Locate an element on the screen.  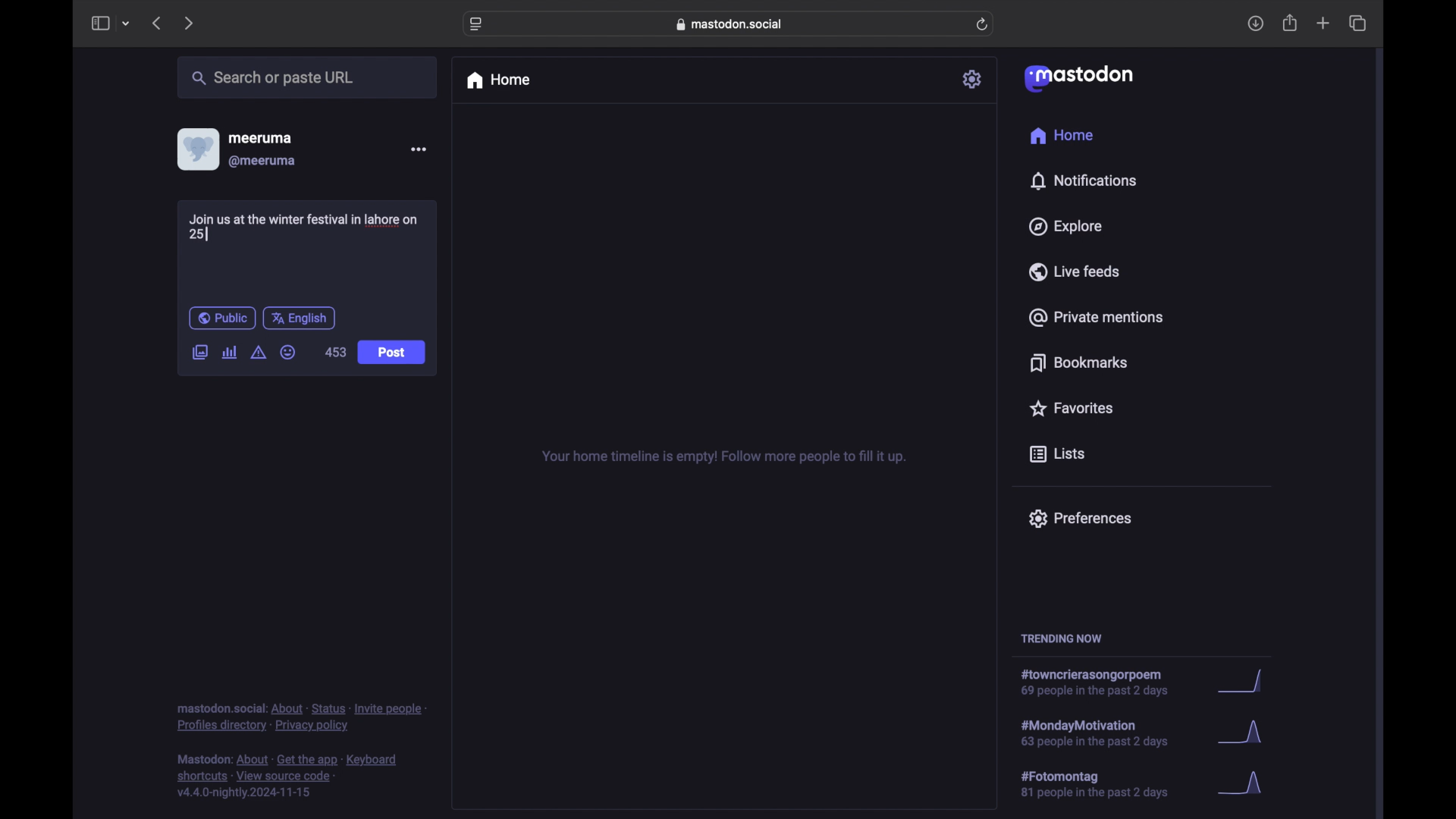
your home timeline is empty! follow more people to fill it up is located at coordinates (723, 457).